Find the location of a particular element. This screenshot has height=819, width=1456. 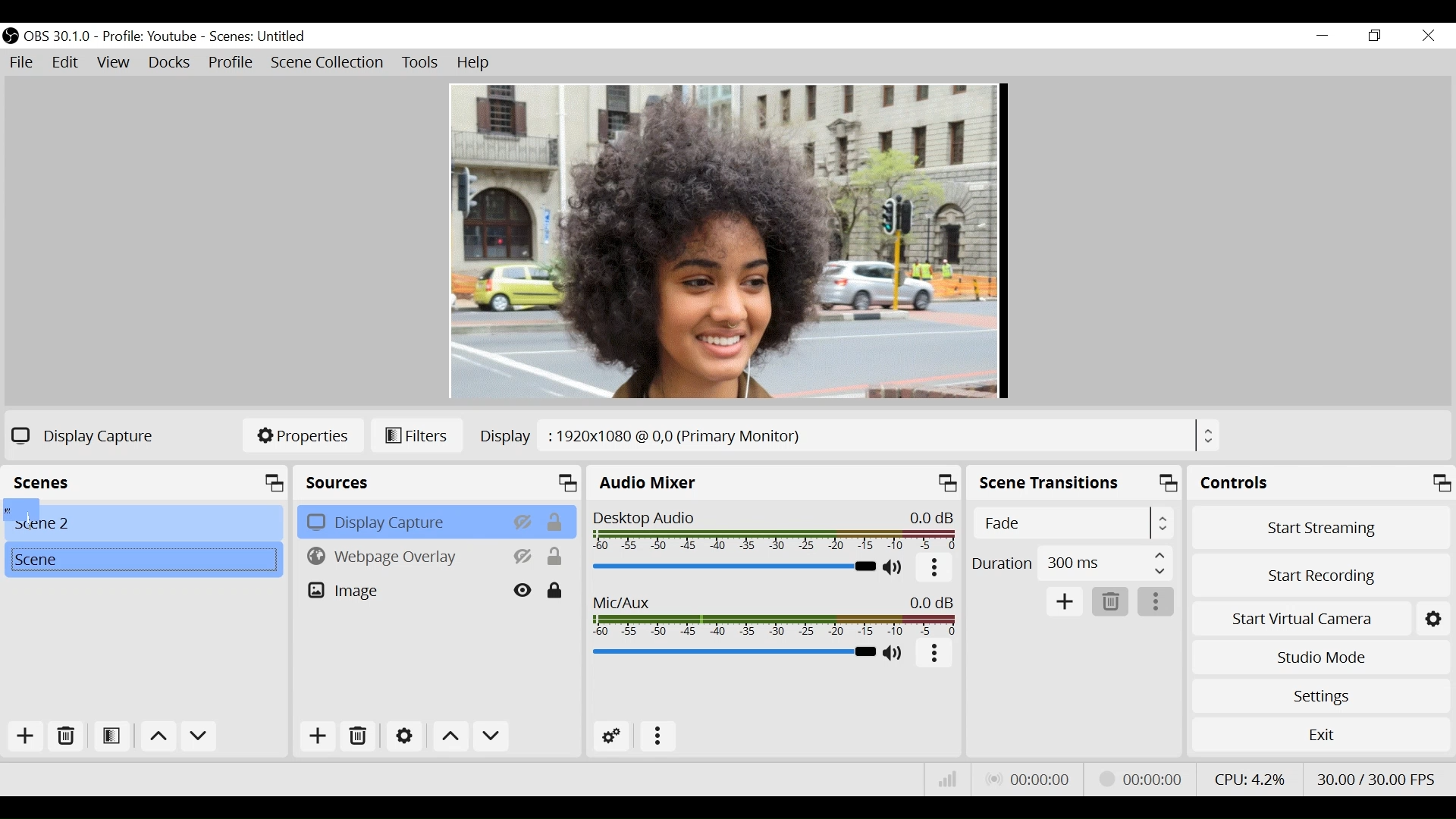

OBS Version is located at coordinates (58, 37).